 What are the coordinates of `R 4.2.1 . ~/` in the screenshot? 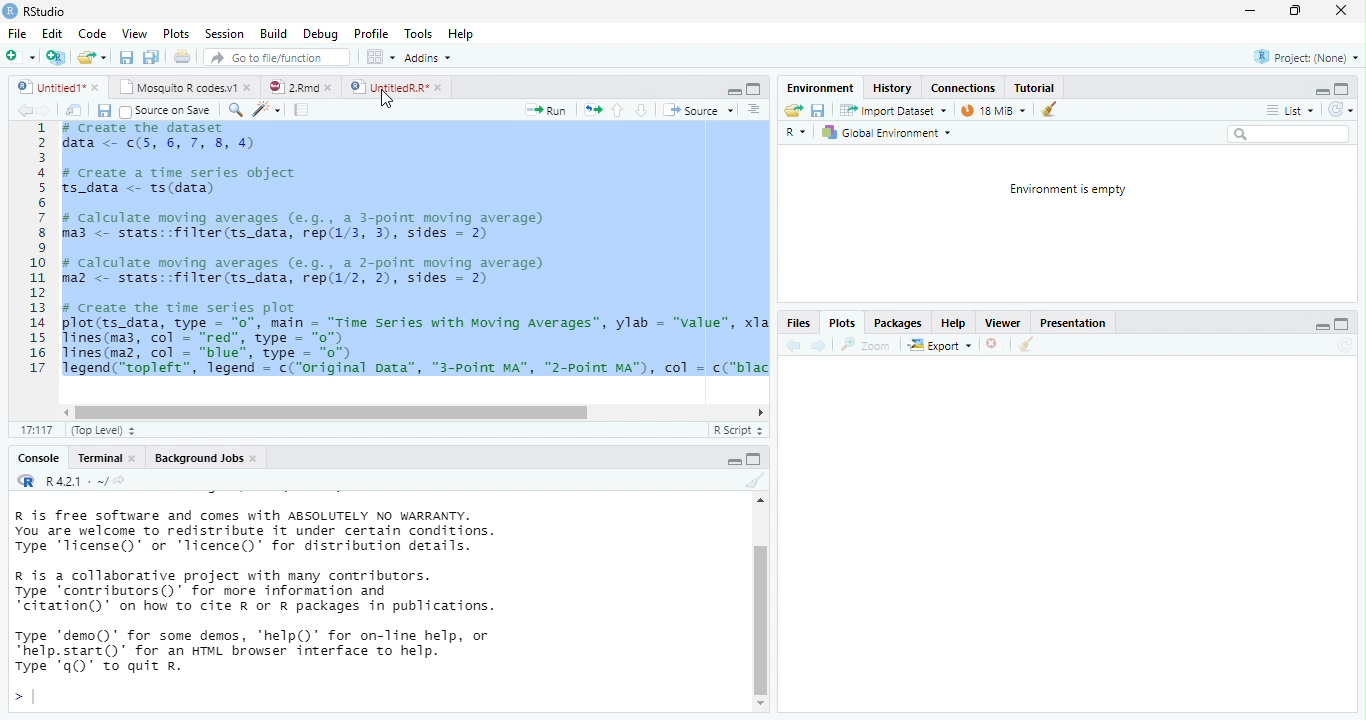 It's located at (74, 480).